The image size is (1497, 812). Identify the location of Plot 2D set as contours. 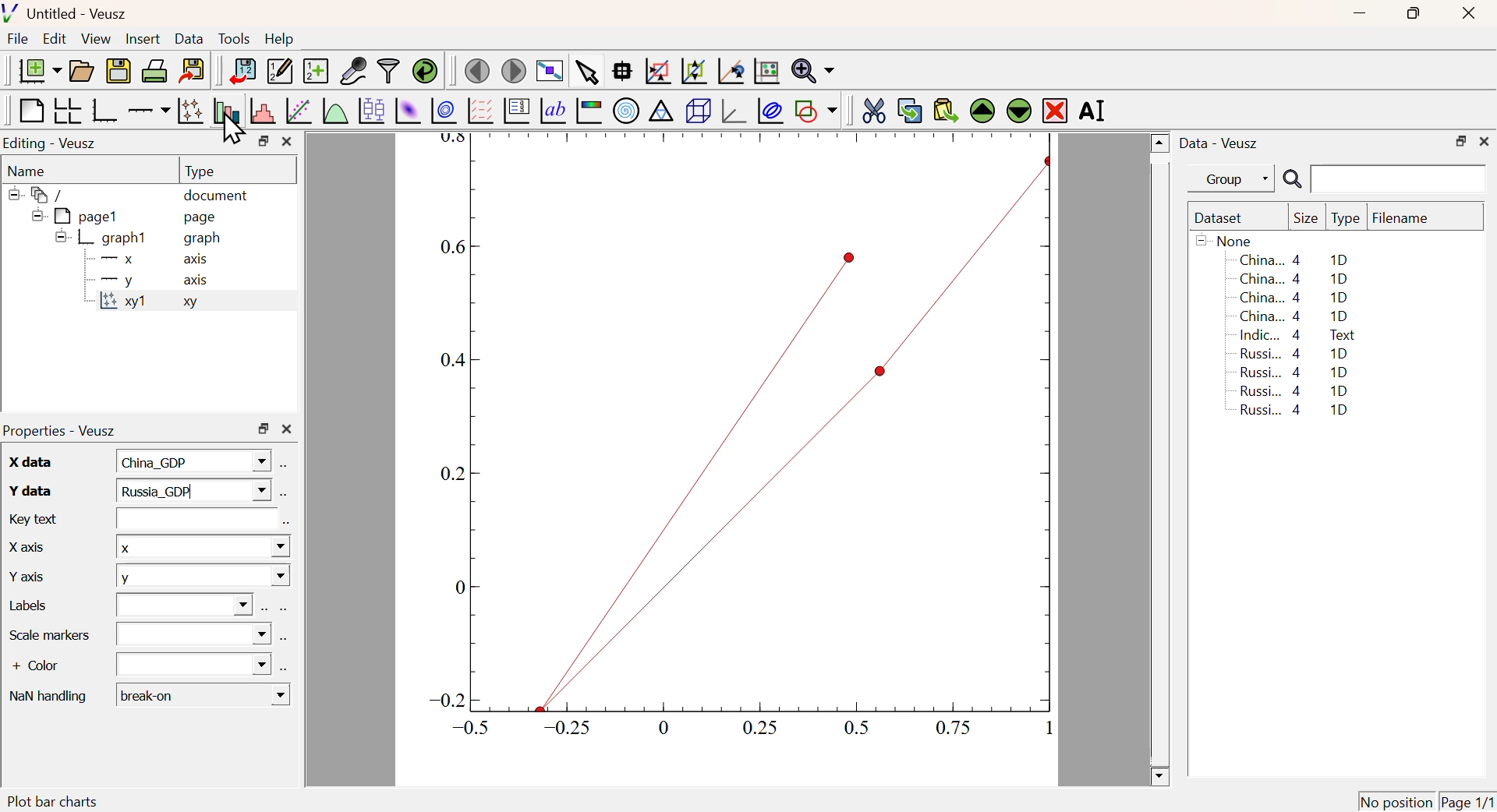
(444, 111).